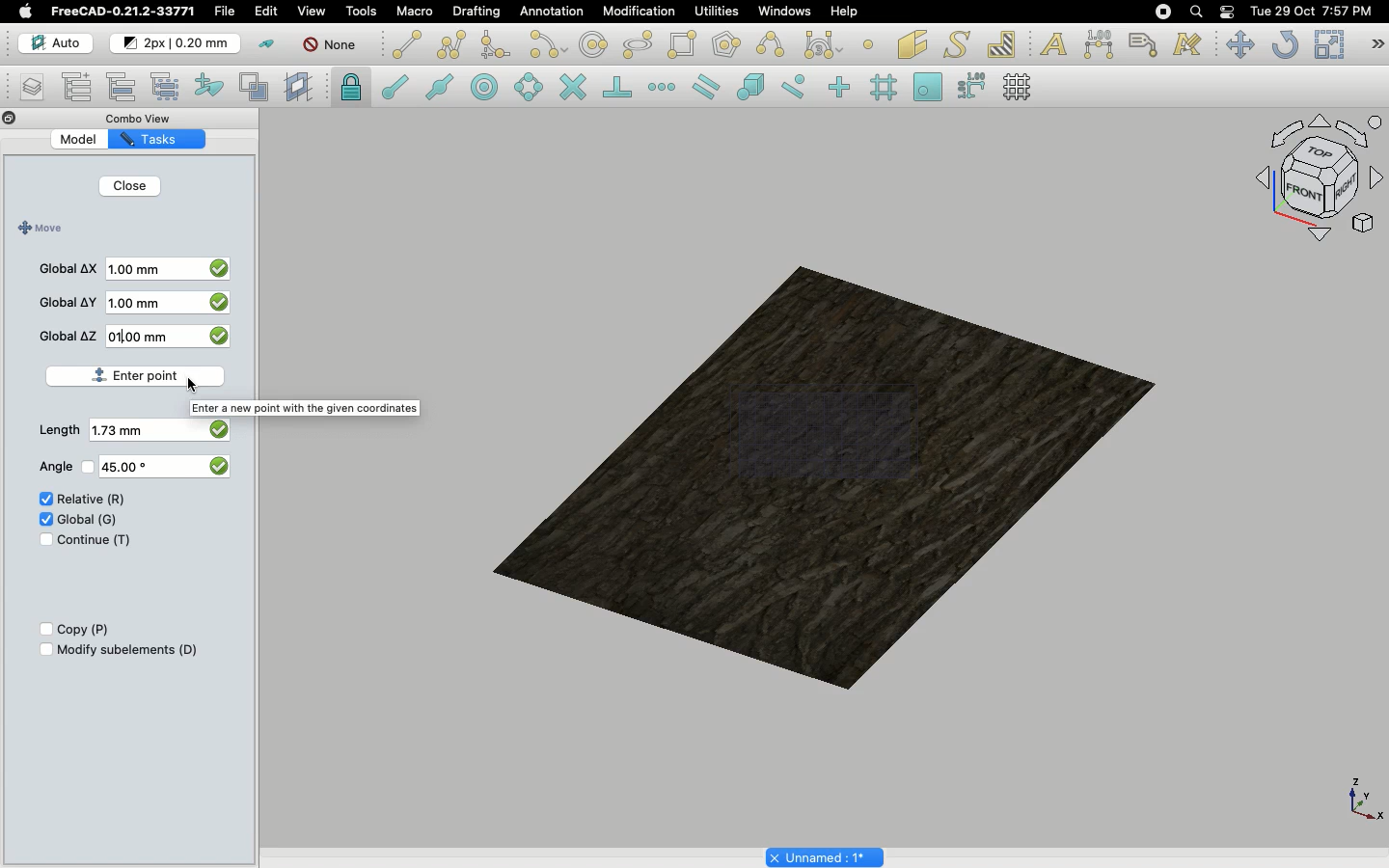 Image resolution: width=1389 pixels, height=868 pixels. I want to click on Snap working plane, so click(928, 89).